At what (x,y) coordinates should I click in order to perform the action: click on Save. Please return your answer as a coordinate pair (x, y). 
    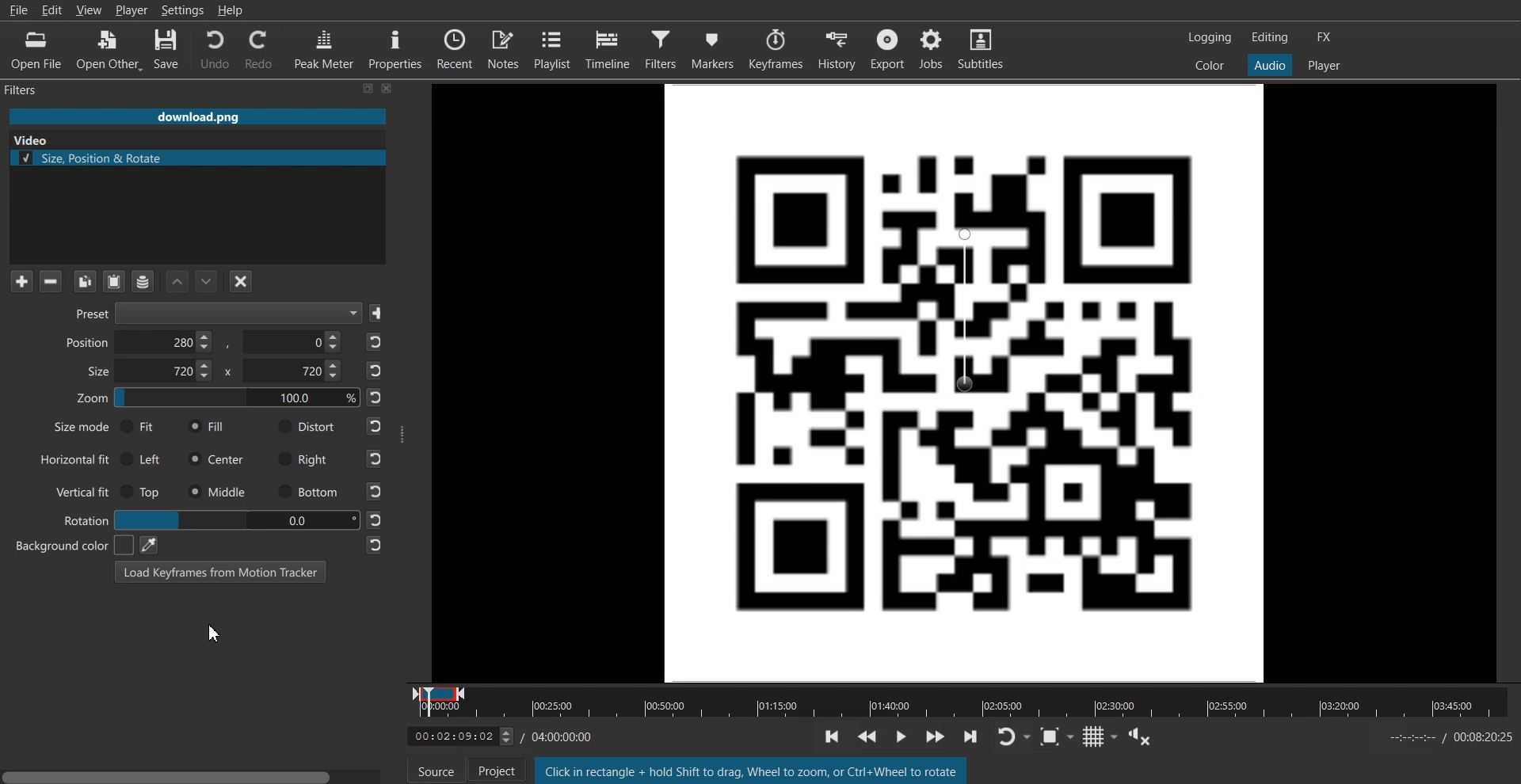
    Looking at the image, I should click on (379, 314).